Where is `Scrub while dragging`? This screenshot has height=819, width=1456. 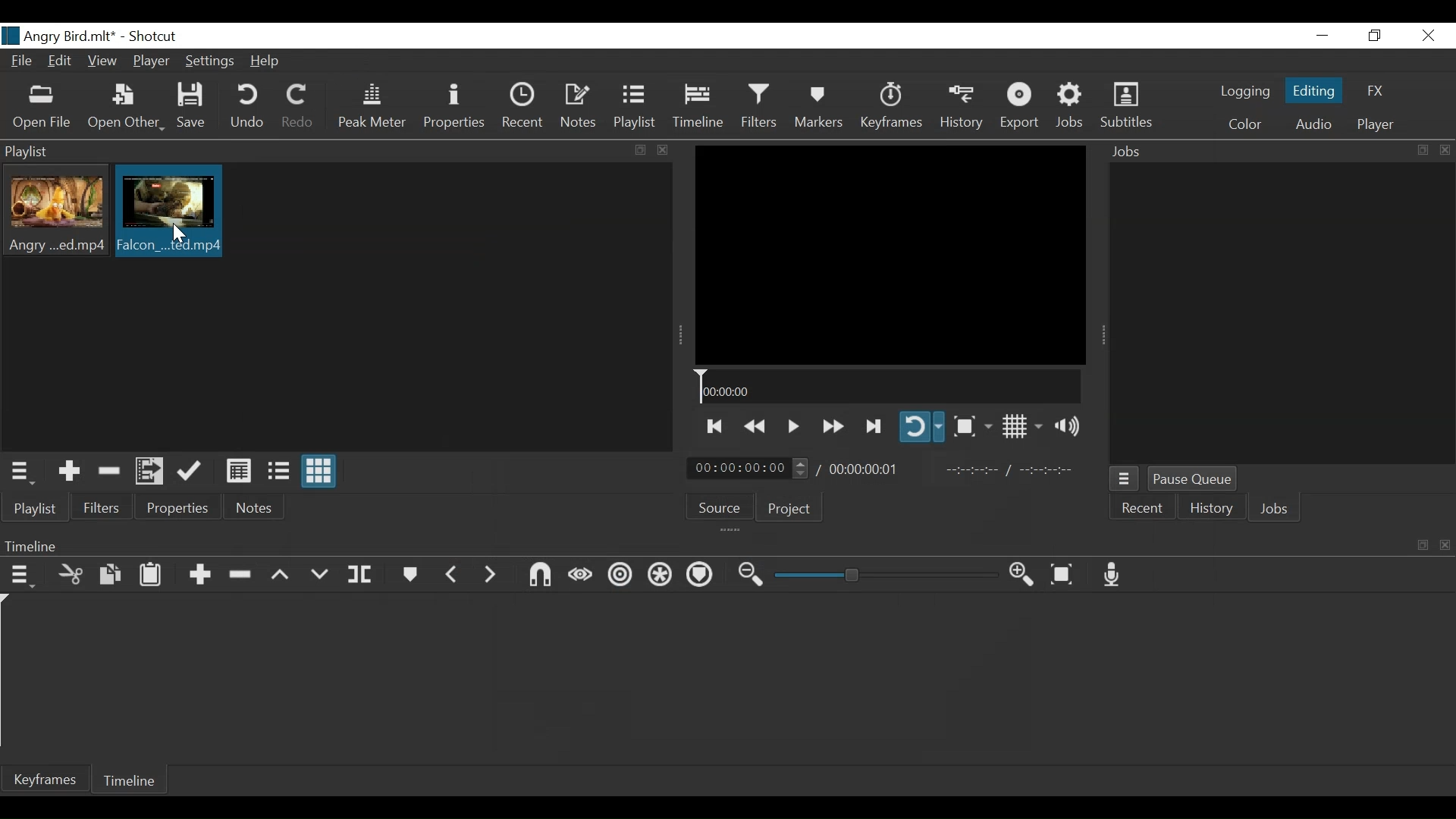
Scrub while dragging is located at coordinates (583, 576).